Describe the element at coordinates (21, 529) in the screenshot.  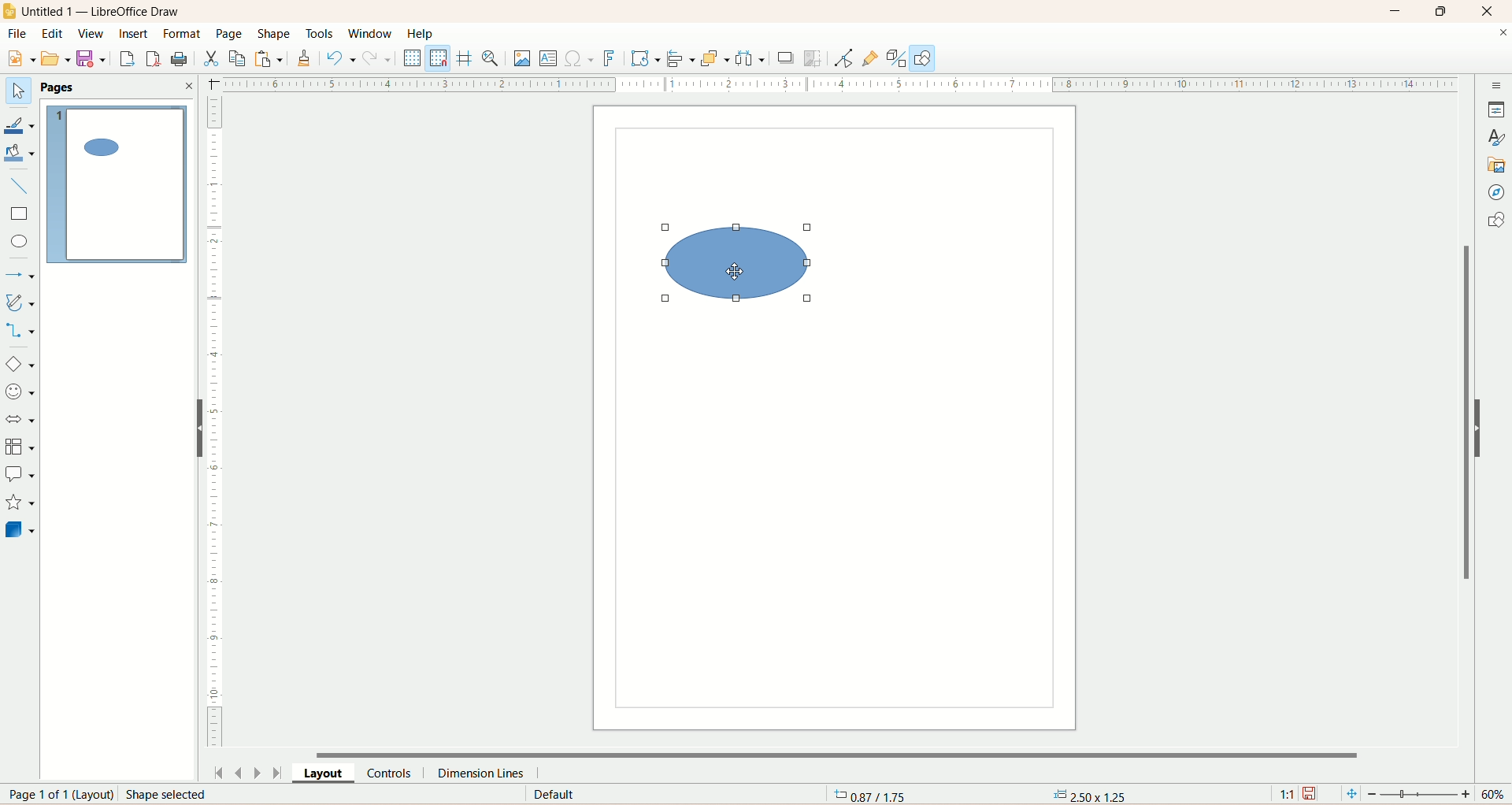
I see `3D shapes` at that location.